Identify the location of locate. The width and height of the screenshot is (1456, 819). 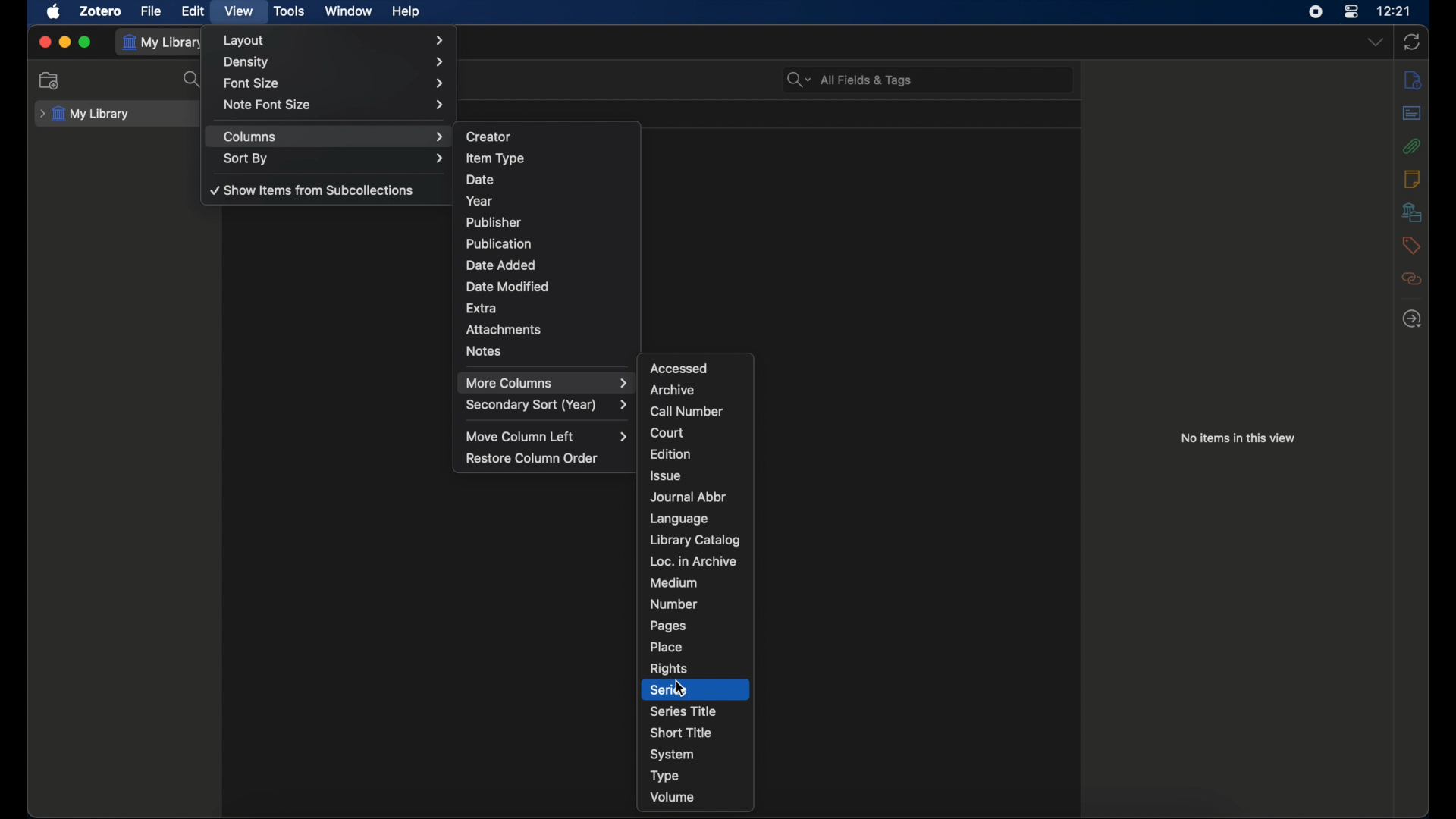
(1412, 320).